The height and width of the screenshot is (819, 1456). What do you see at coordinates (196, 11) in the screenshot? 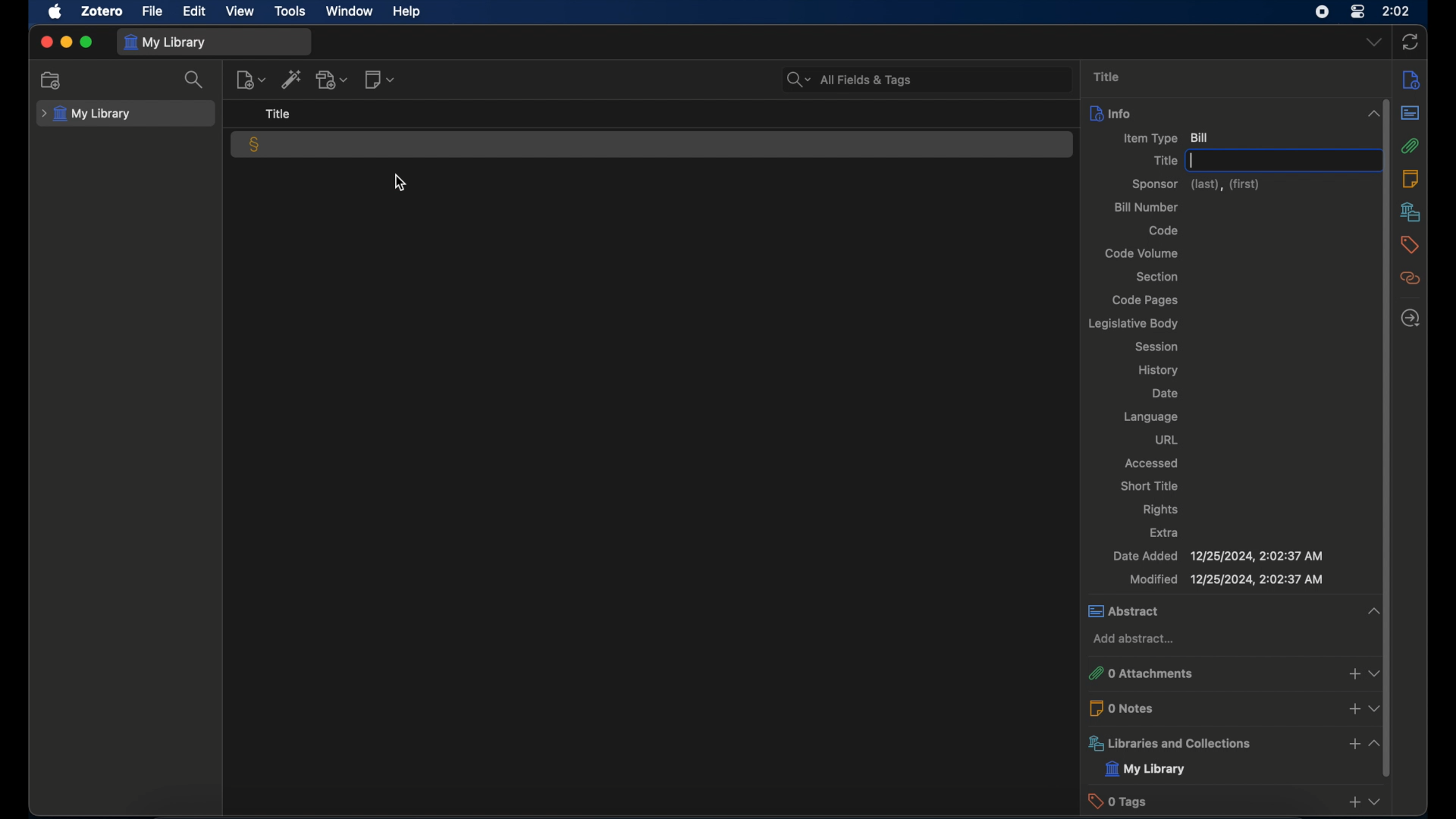
I see `edit` at bounding box center [196, 11].